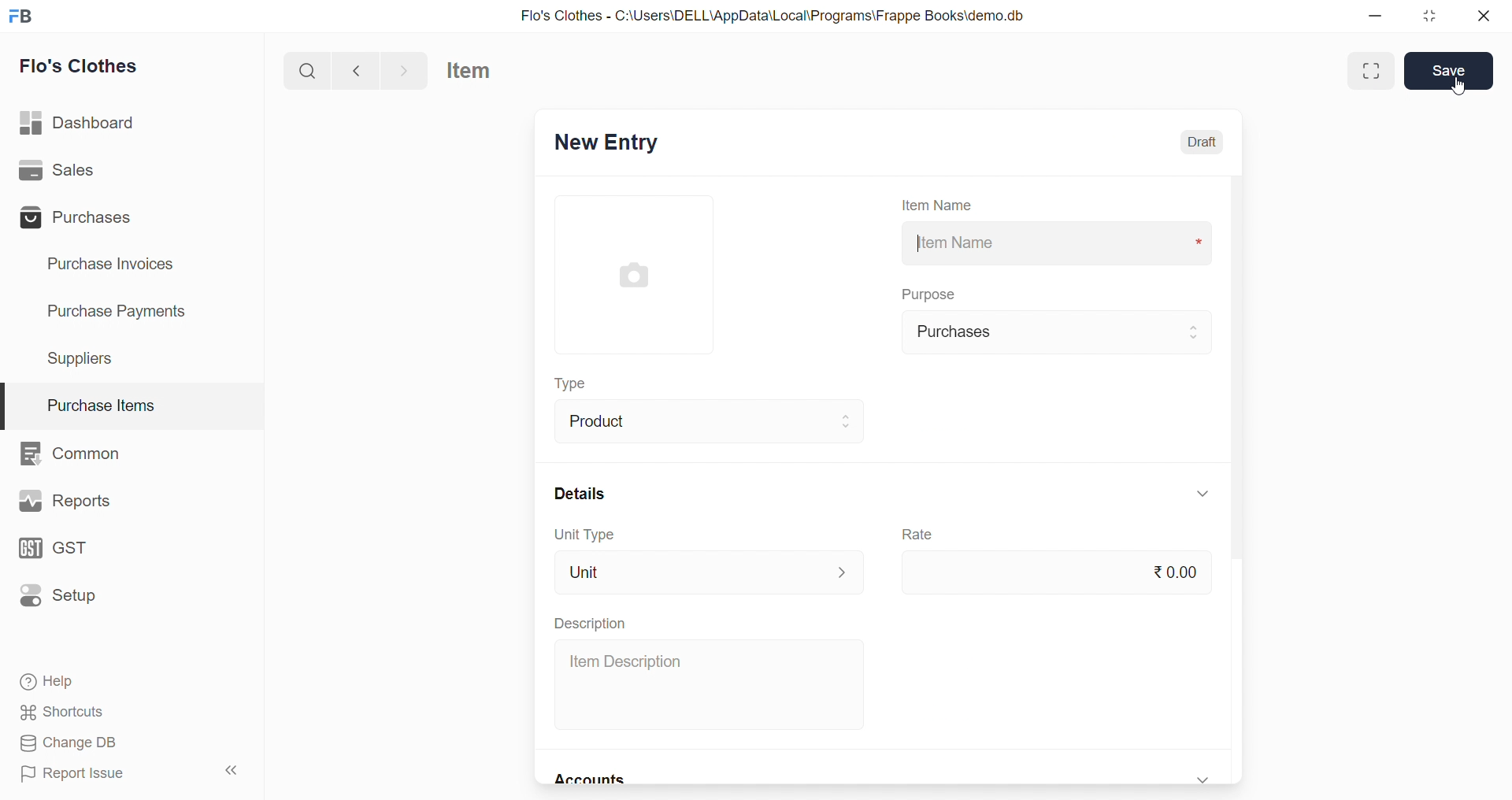  I want to click on Dashboard, so click(84, 120).